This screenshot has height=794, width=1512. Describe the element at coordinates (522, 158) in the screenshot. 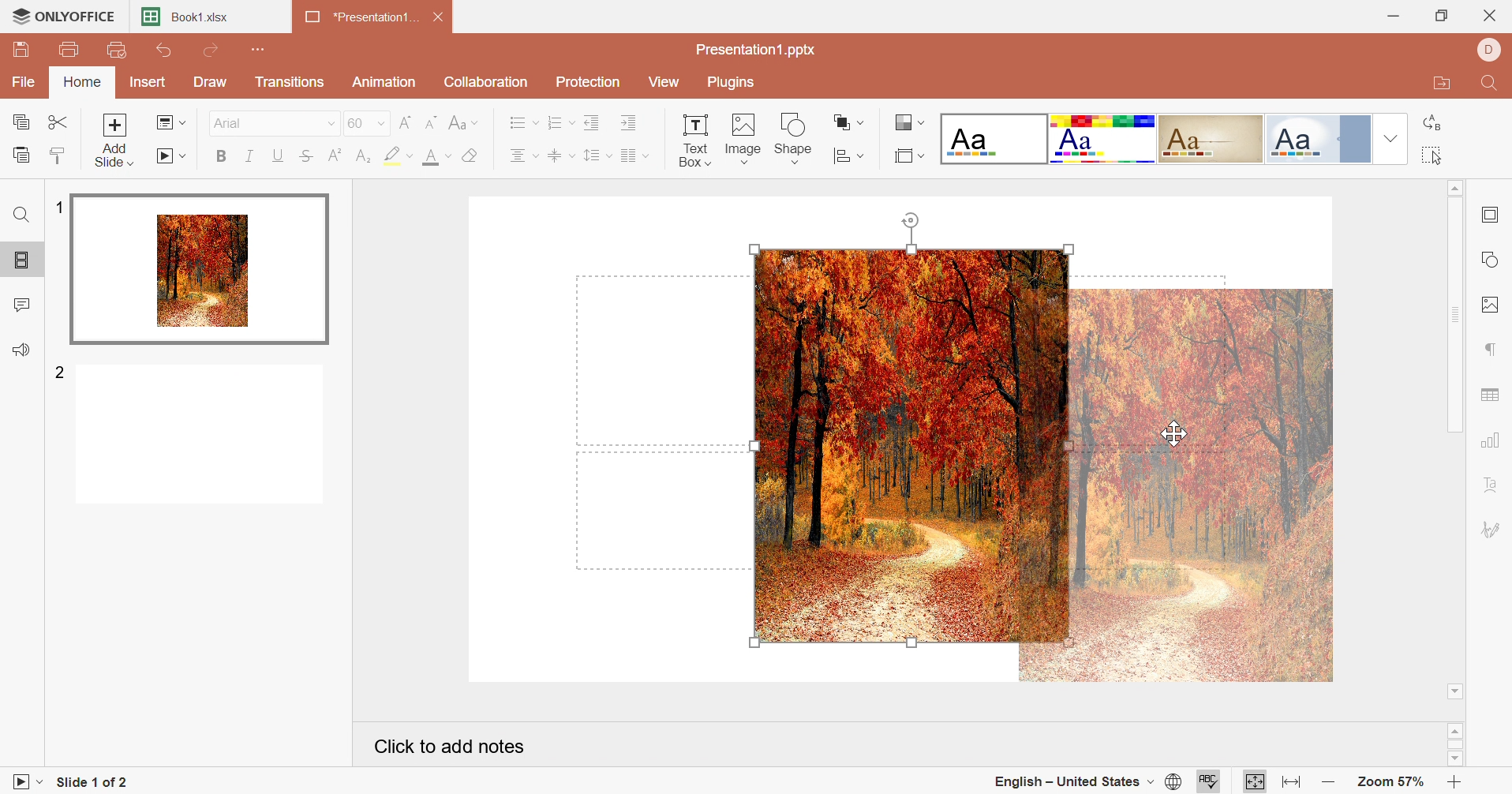

I see `Horizontal align` at that location.